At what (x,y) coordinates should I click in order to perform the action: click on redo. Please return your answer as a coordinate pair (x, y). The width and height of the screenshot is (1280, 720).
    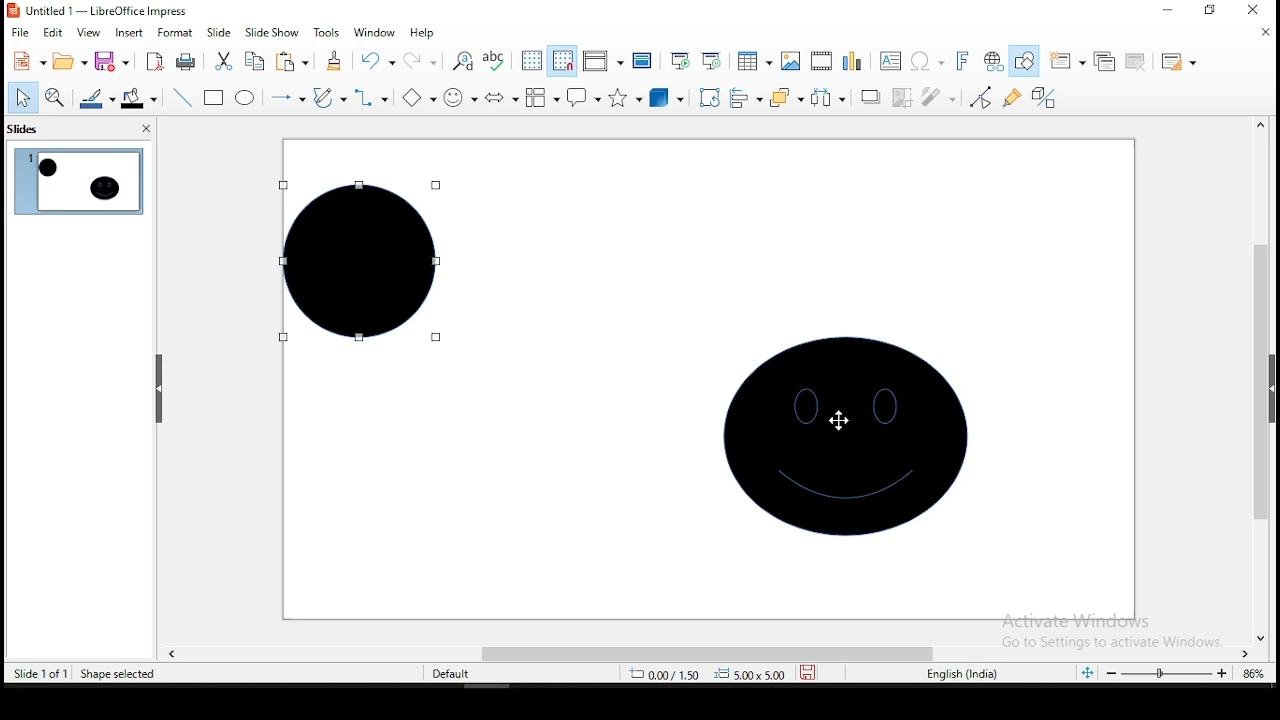
    Looking at the image, I should click on (422, 61).